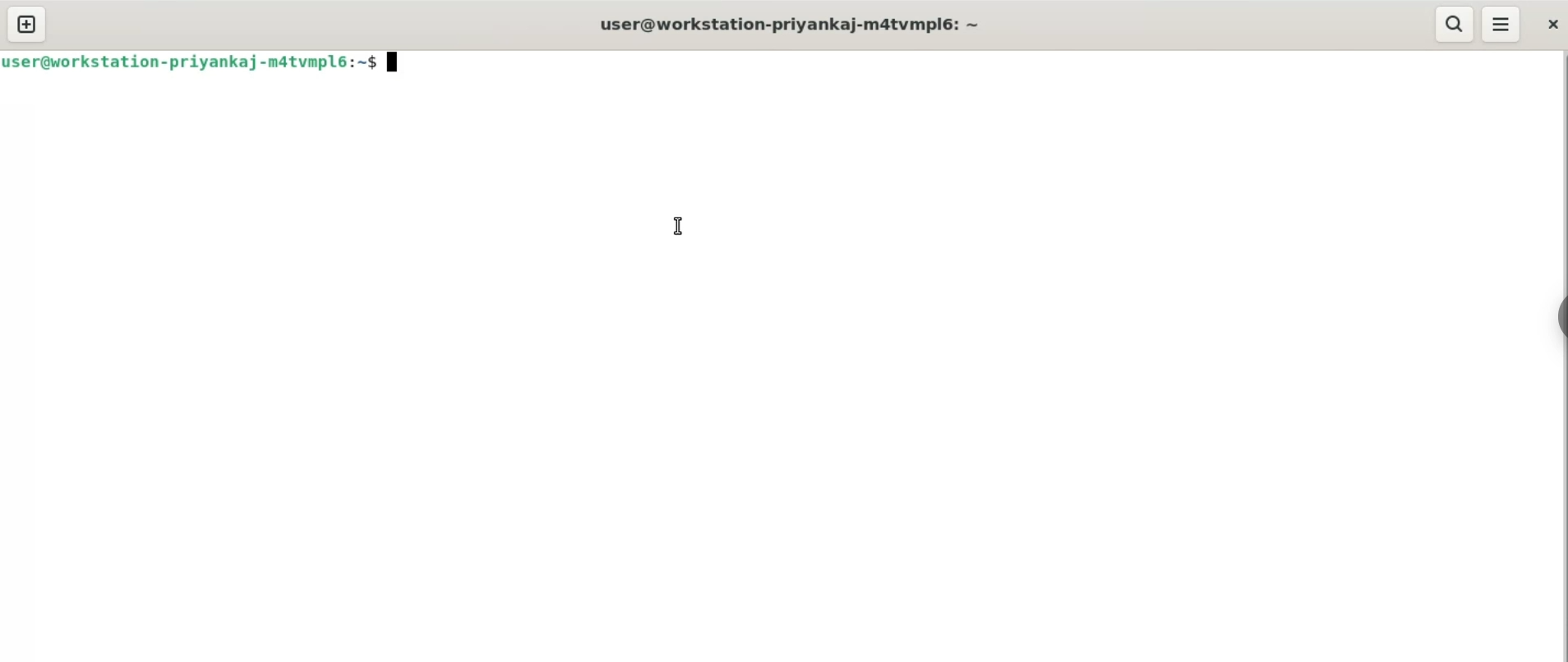  I want to click on user@workstation-priyankaj-m4tvmpl6:-$, so click(190, 62).